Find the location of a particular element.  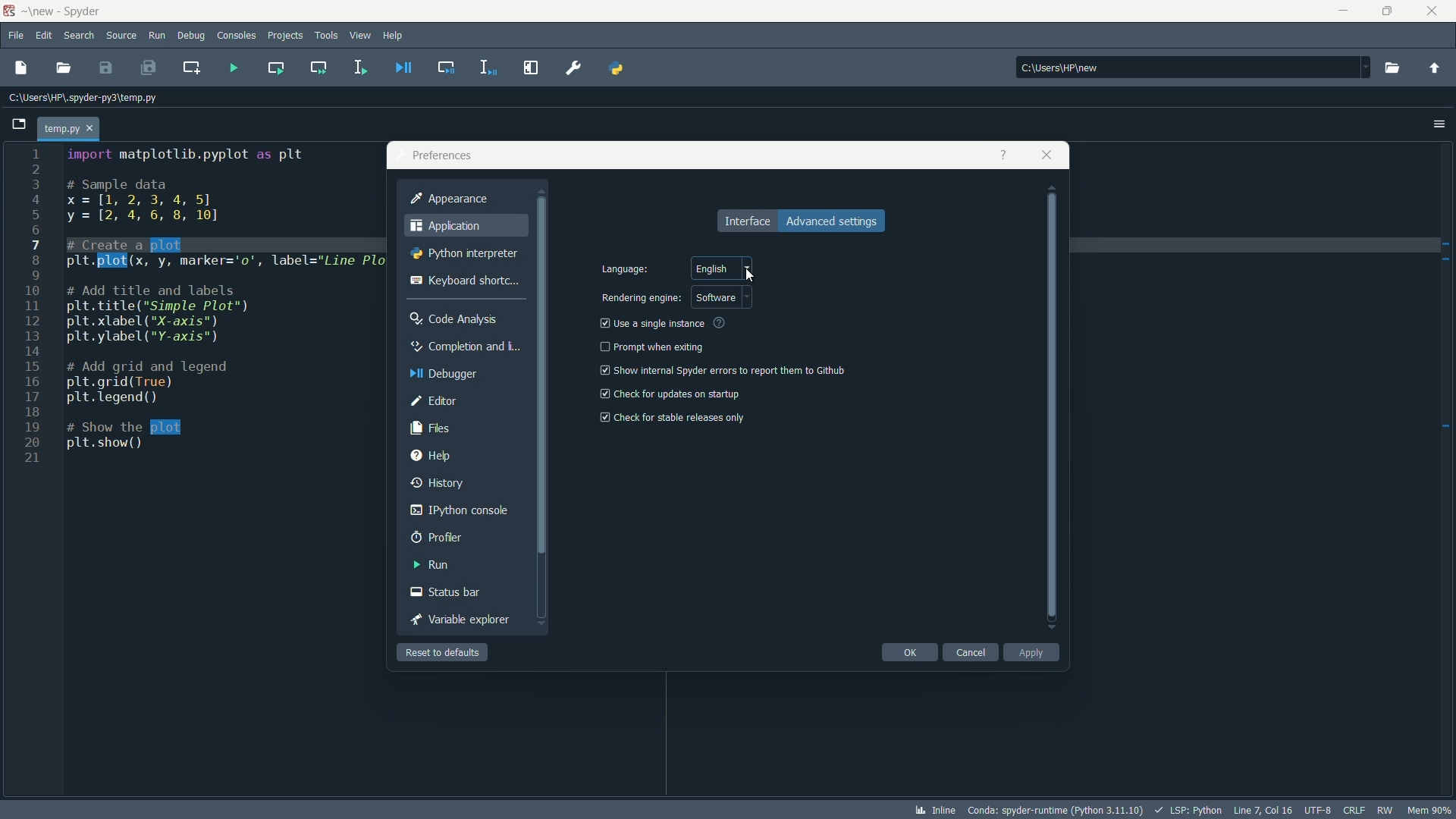

application is located at coordinates (447, 226).